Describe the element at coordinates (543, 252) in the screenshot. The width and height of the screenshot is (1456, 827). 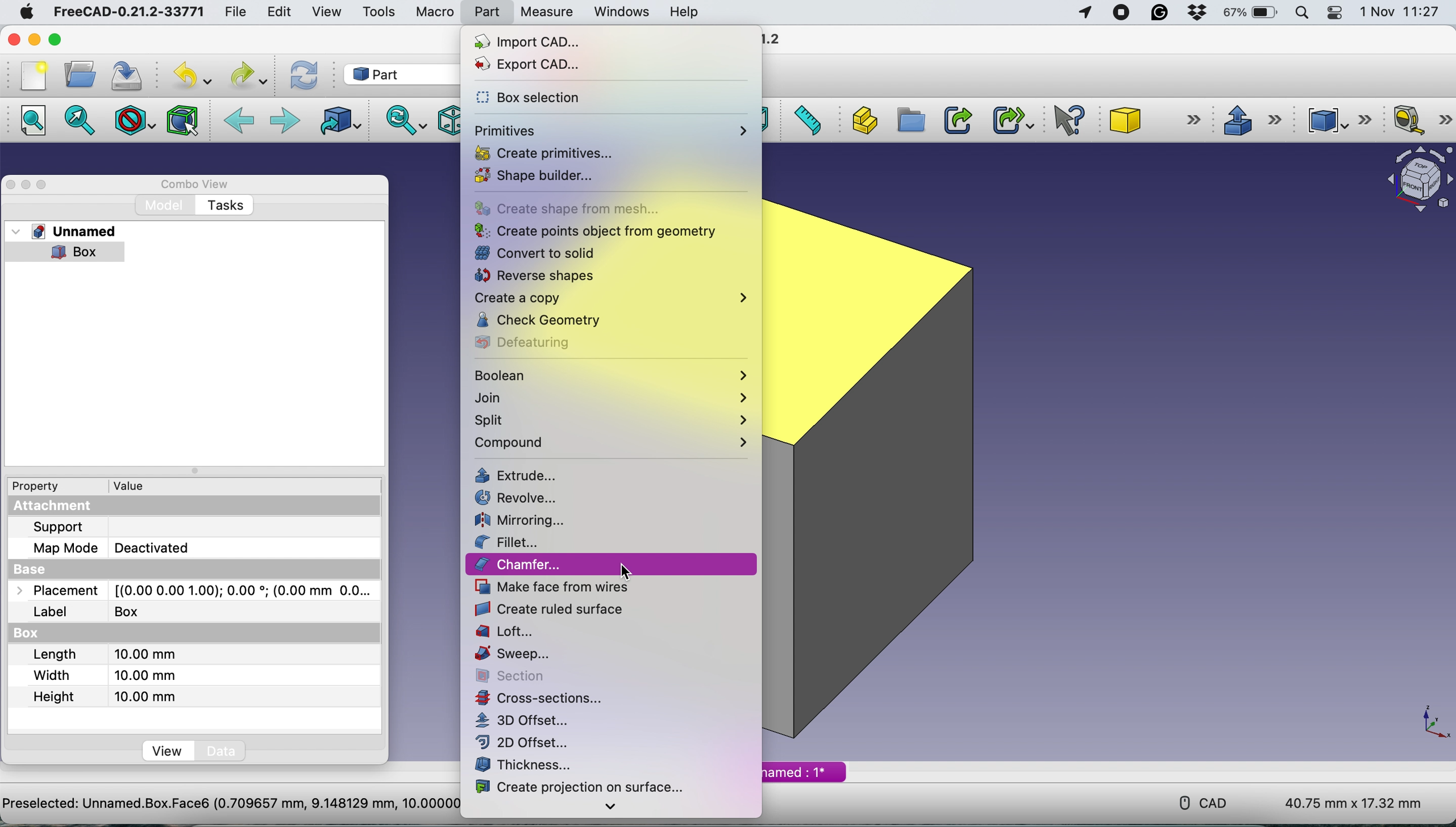
I see `convert to solid` at that location.